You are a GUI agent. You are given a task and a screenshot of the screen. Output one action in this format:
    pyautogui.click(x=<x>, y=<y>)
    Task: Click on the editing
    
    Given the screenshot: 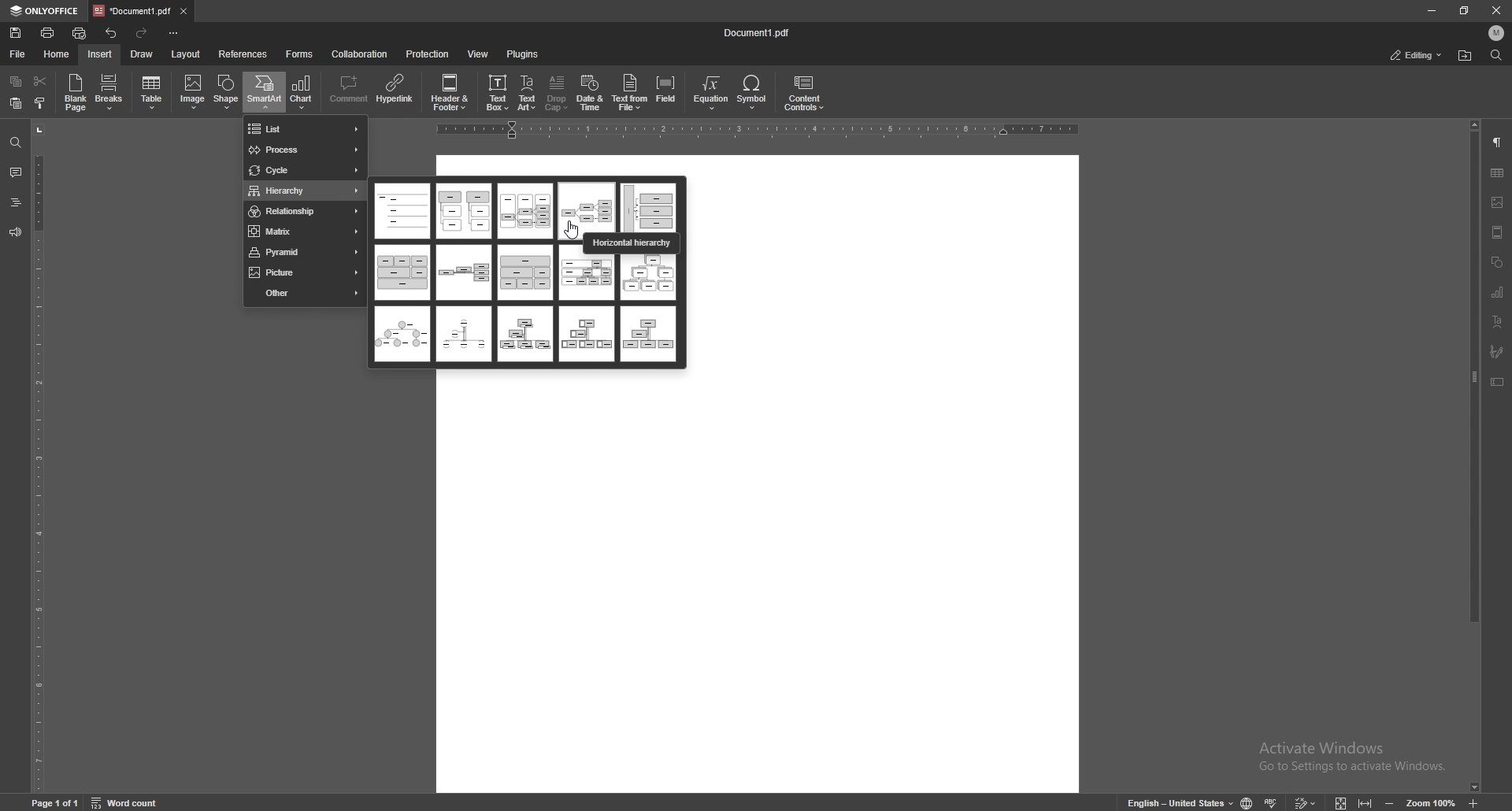 What is the action you would take?
    pyautogui.click(x=1417, y=55)
    